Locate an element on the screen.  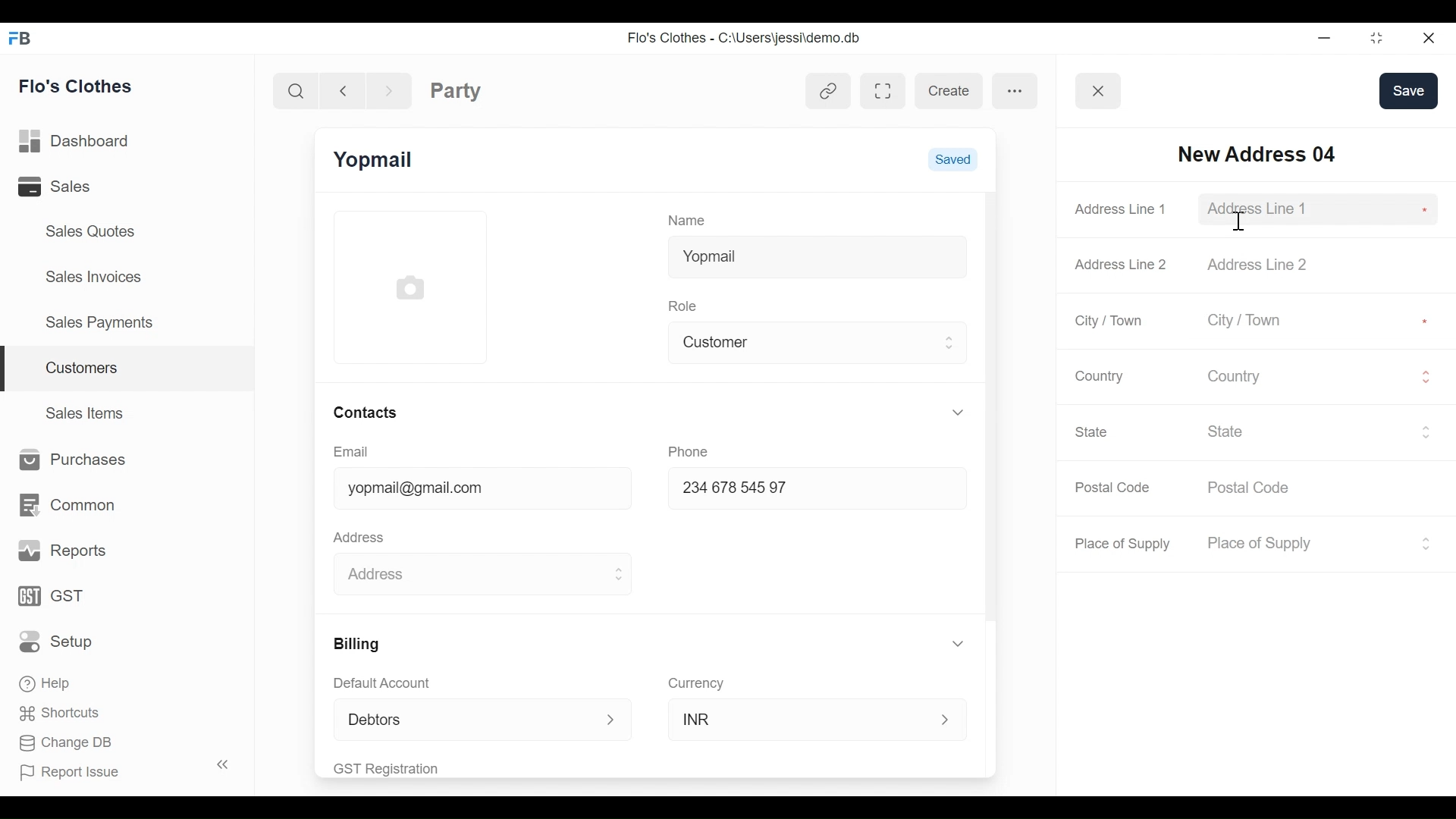
save is located at coordinates (1408, 90).